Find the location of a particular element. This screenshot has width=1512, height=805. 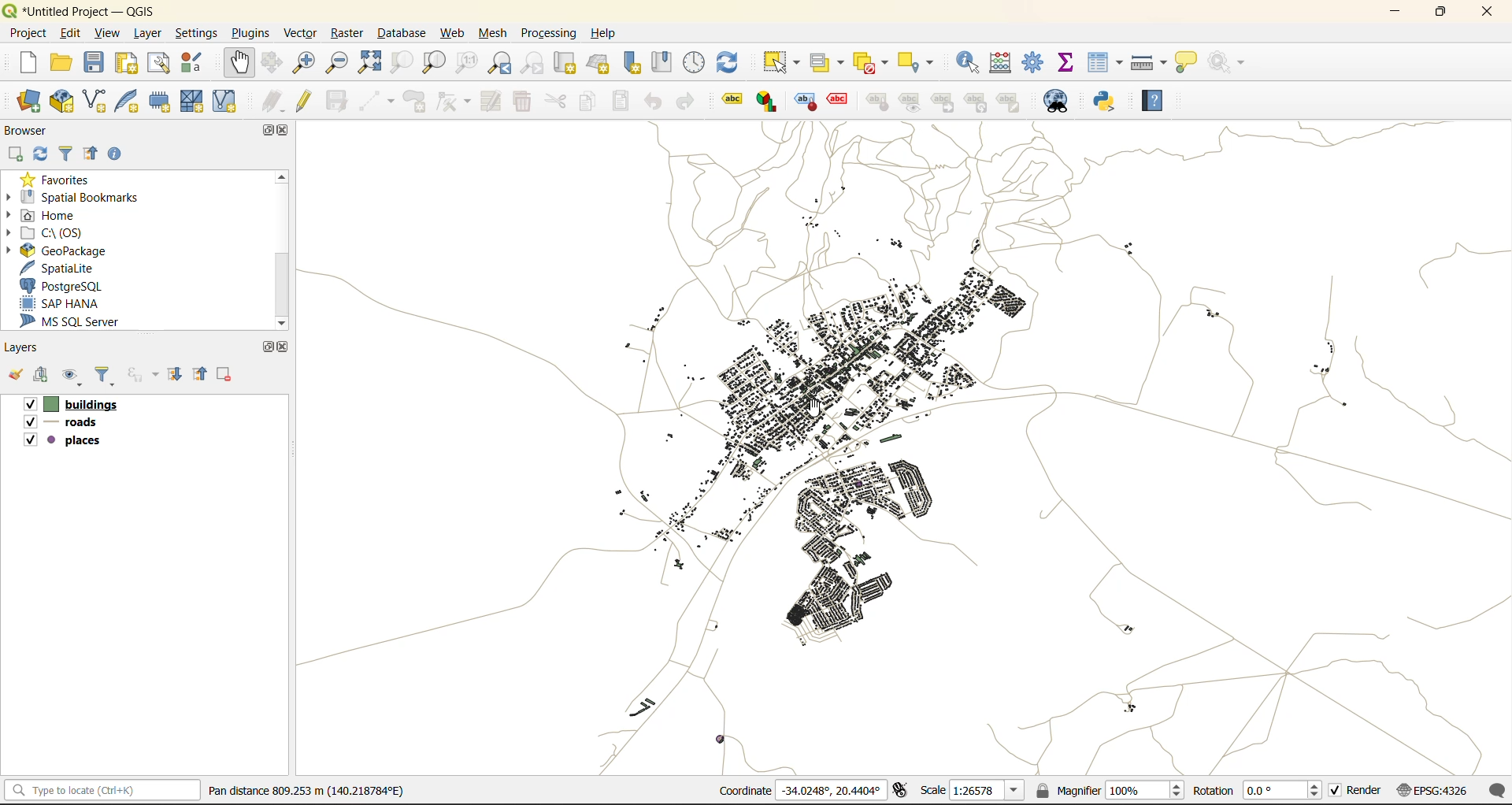

redo is located at coordinates (686, 99).